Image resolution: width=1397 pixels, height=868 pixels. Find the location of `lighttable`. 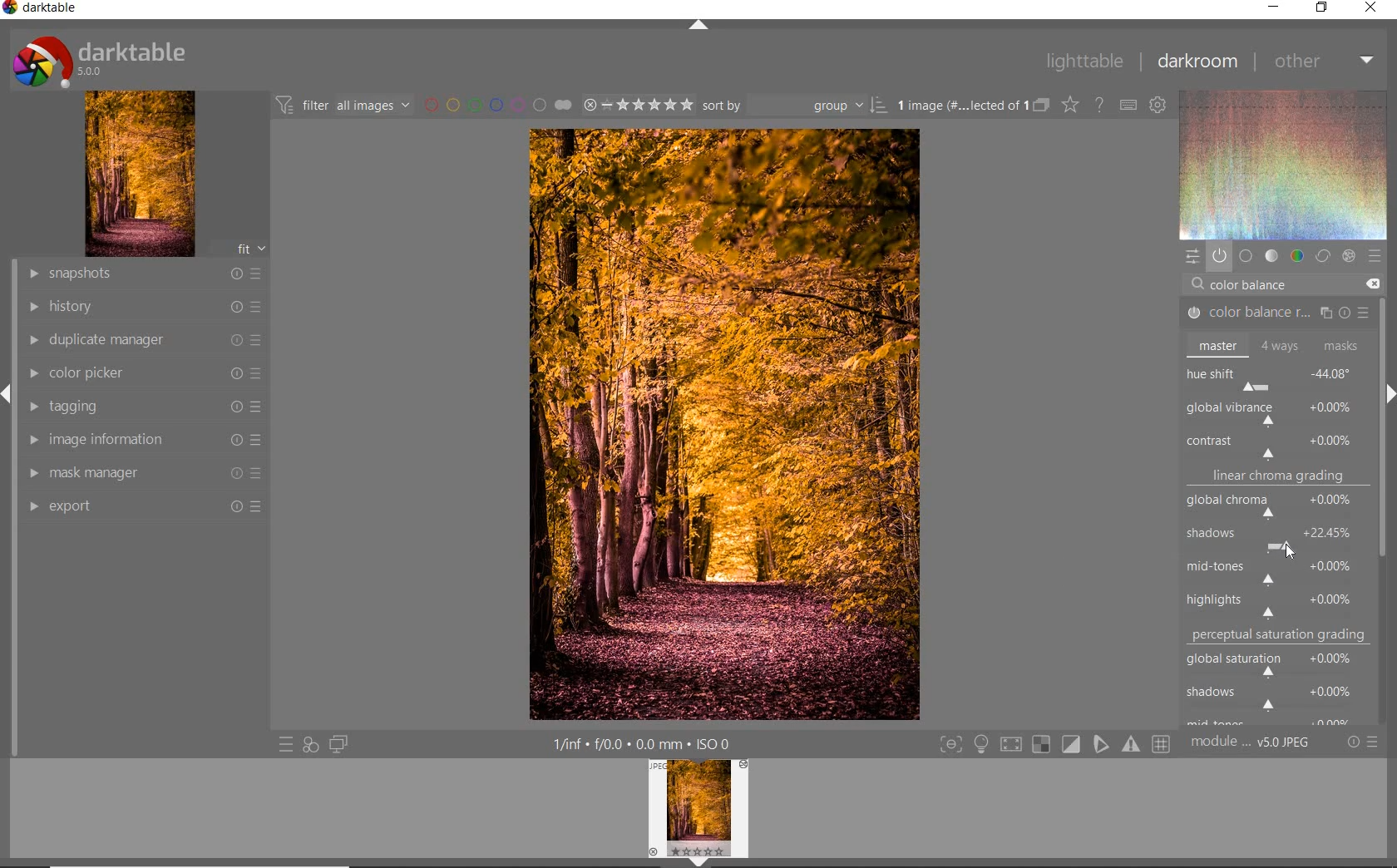

lighttable is located at coordinates (1084, 62).